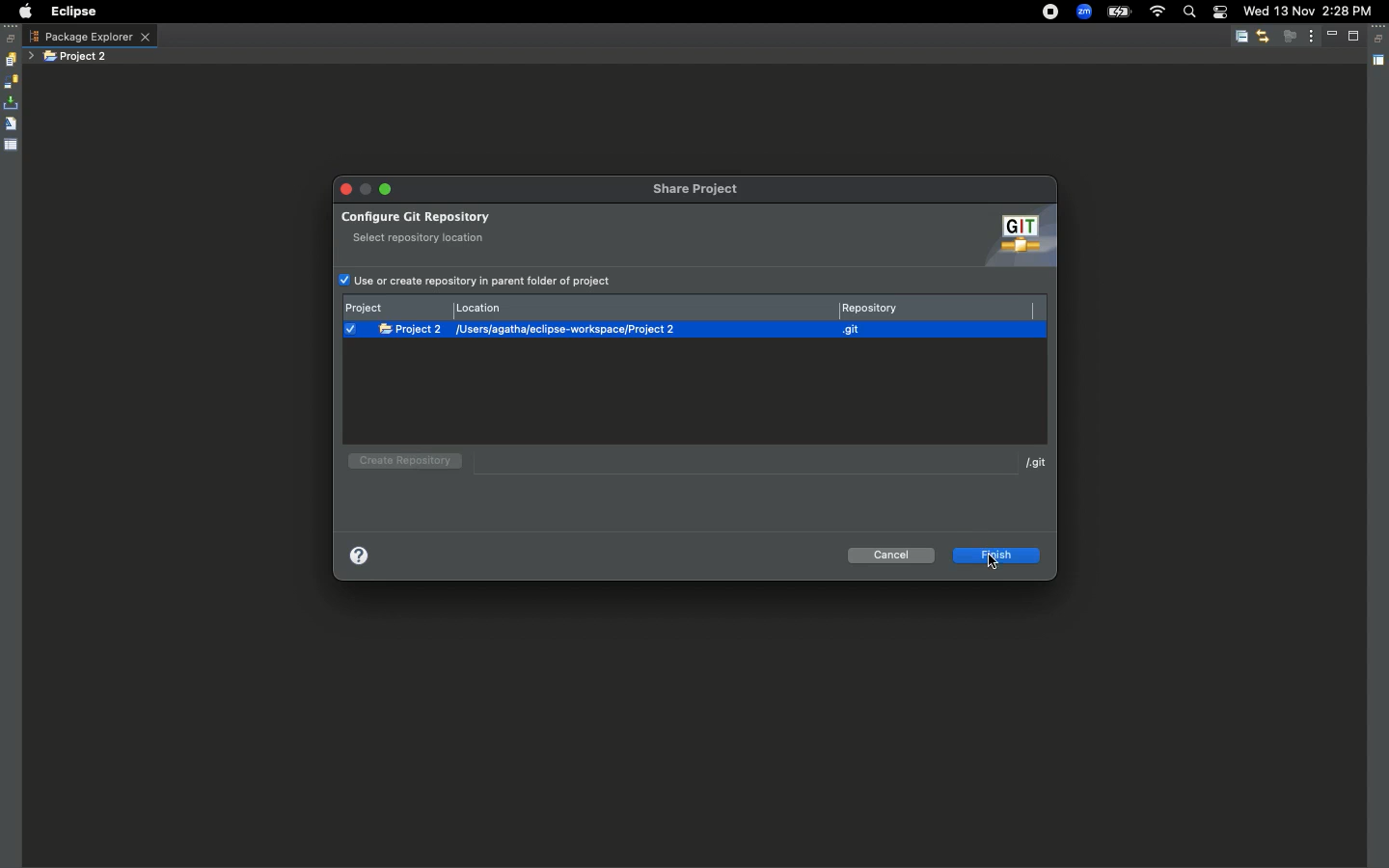  I want to click on Configure Git repository Select repository location, so click(530, 226).